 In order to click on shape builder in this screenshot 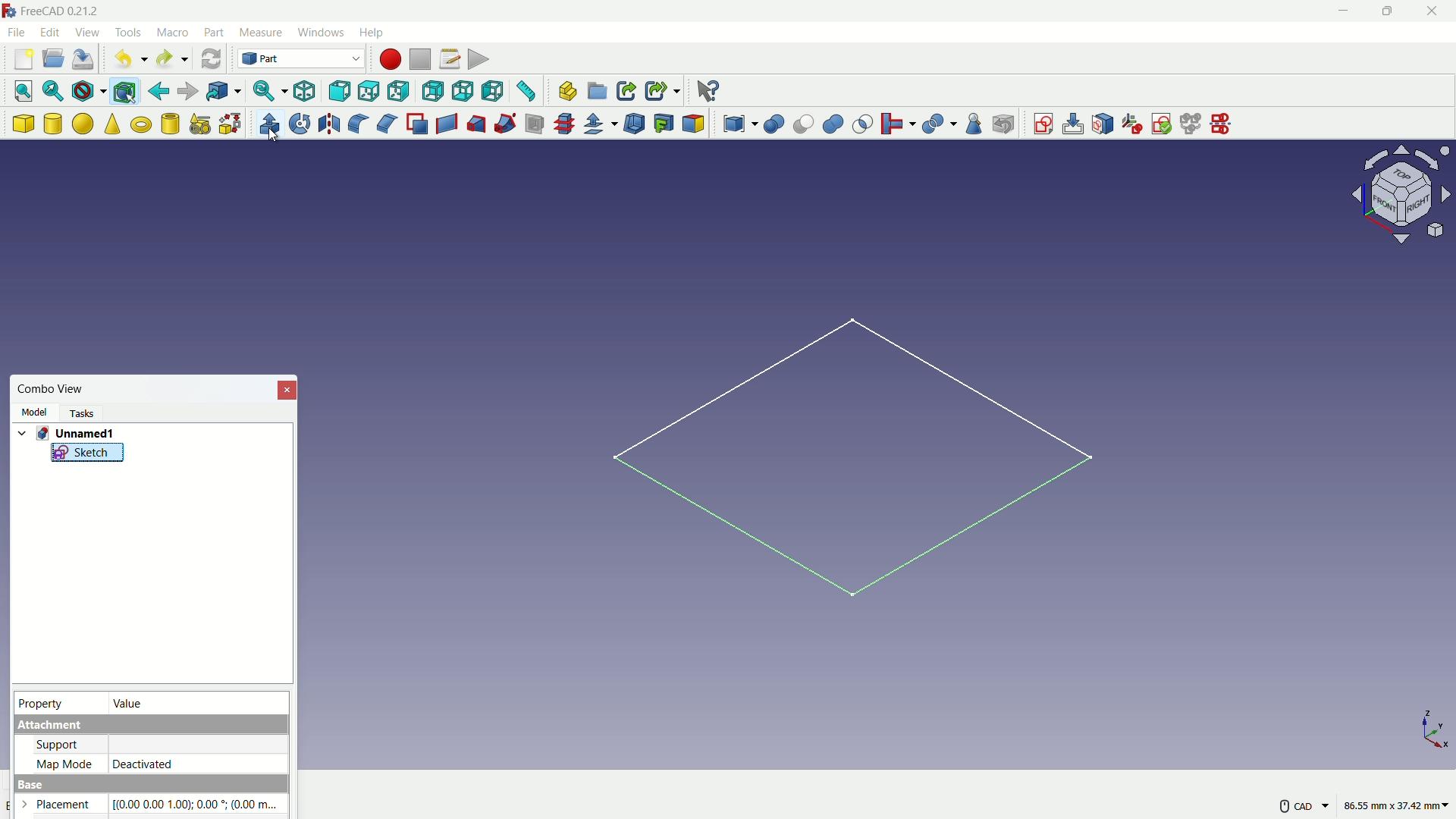, I will do `click(231, 124)`.